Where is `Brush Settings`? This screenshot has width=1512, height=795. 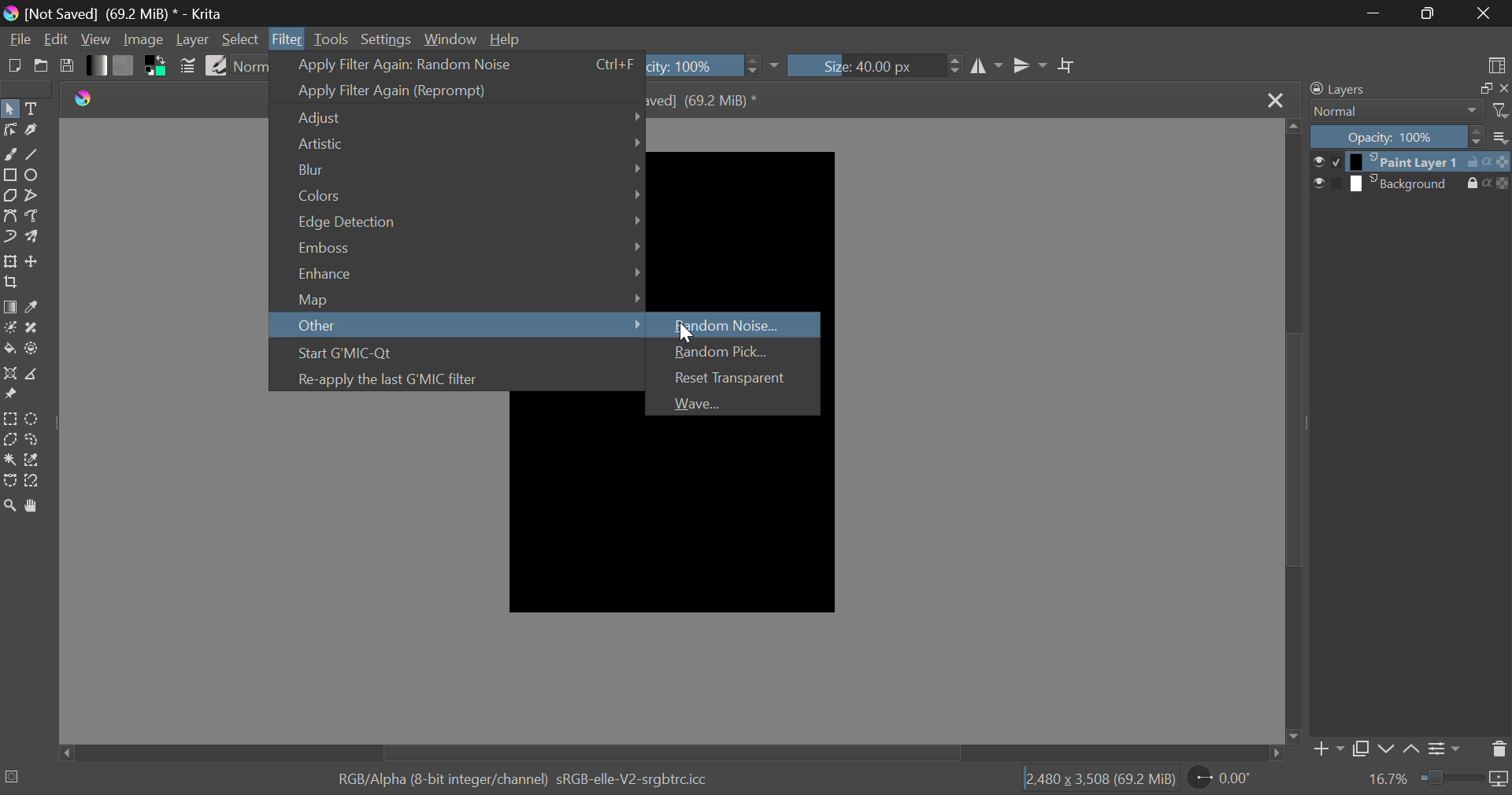
Brush Settings is located at coordinates (189, 66).